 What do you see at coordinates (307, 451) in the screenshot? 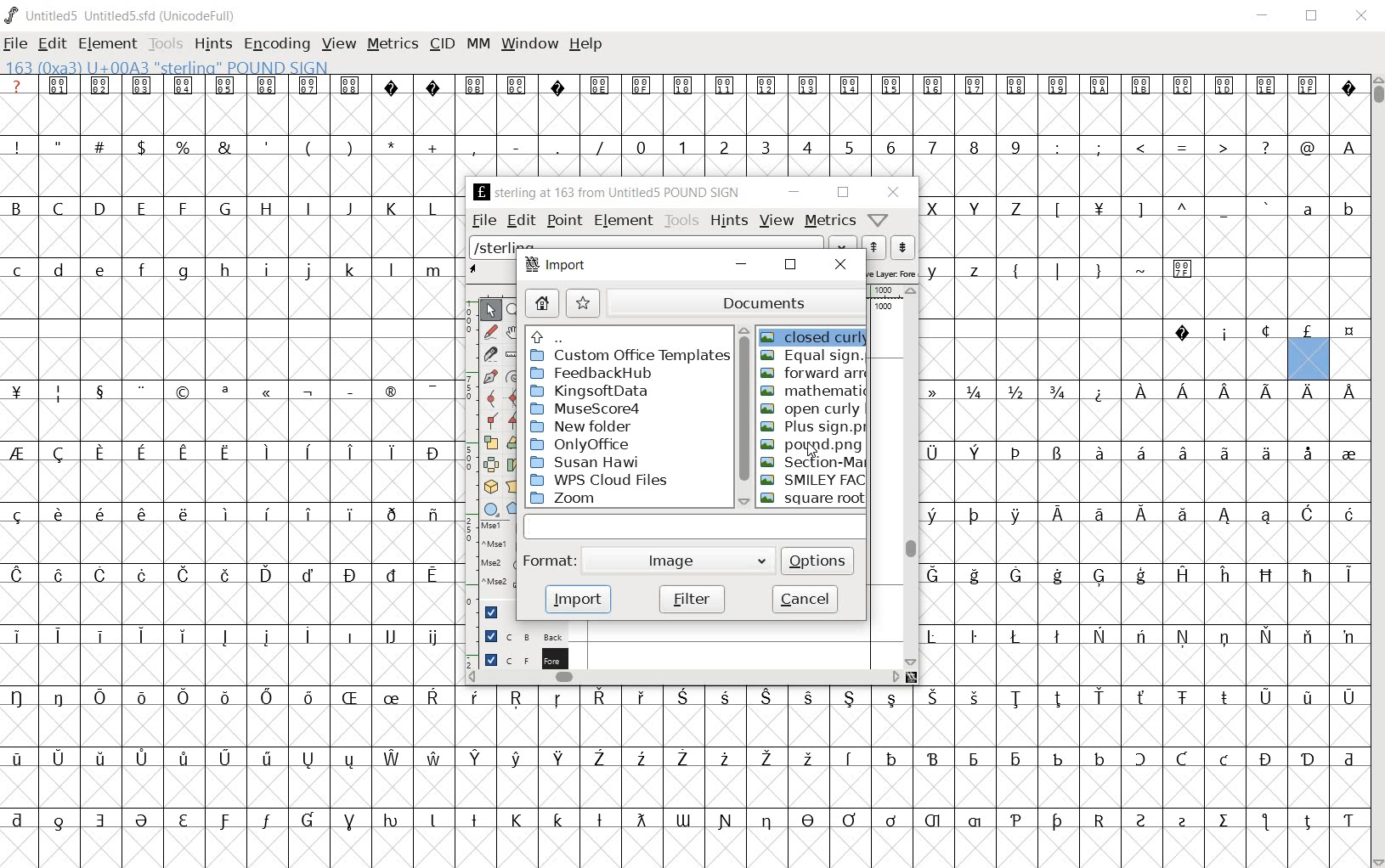
I see `Symbol` at bounding box center [307, 451].